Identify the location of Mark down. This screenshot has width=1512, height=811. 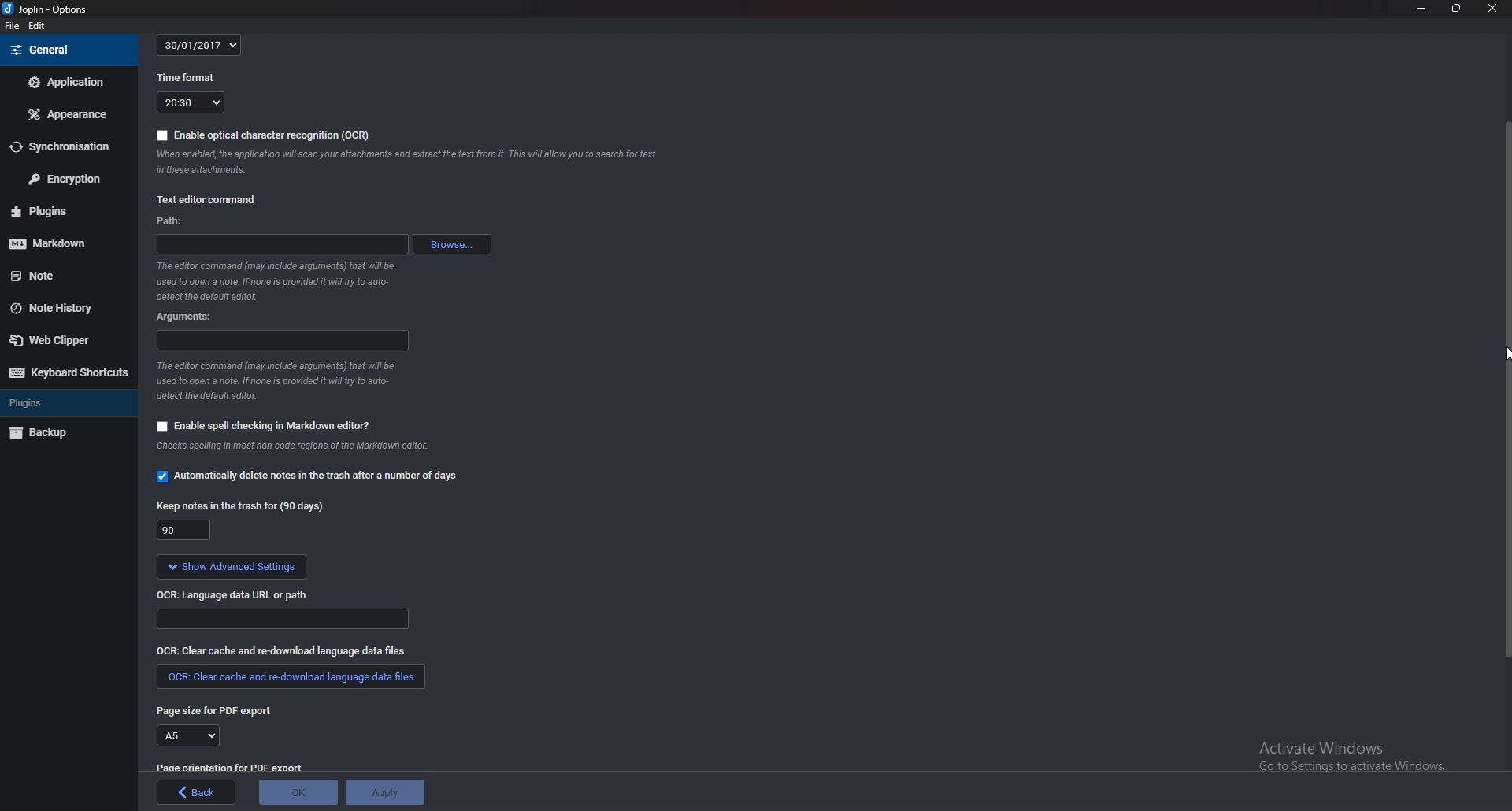
(59, 243).